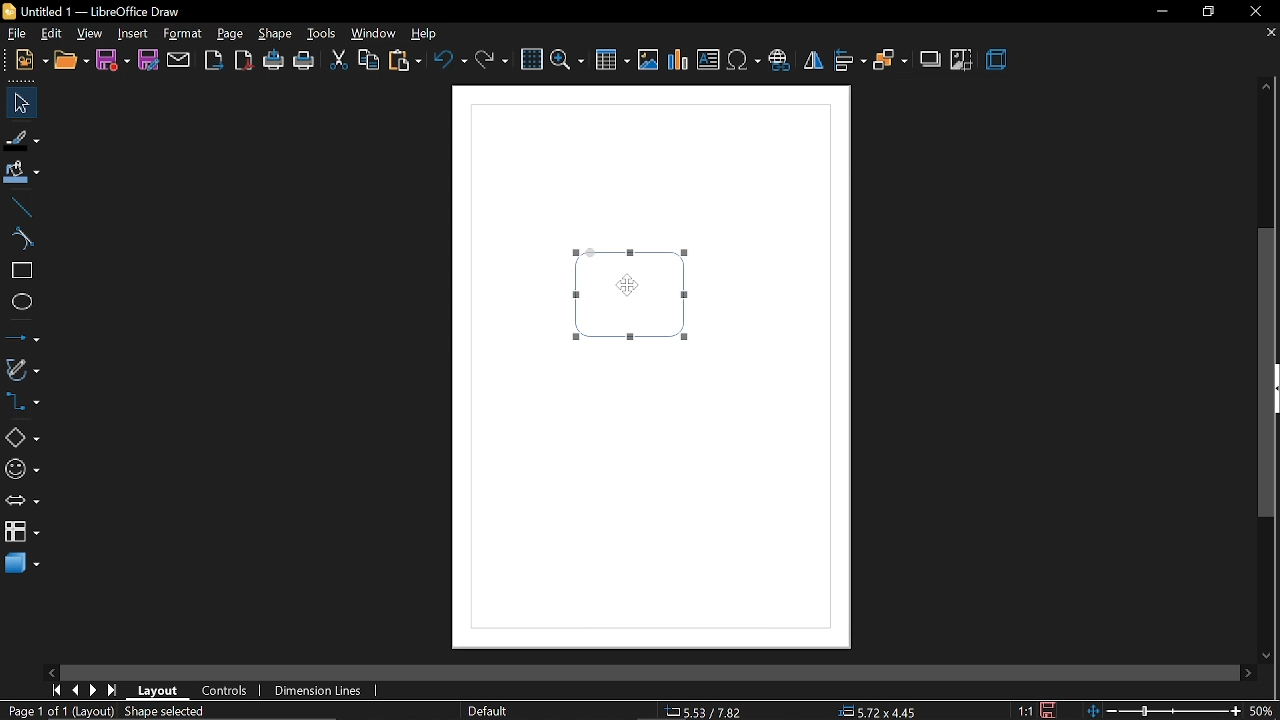  What do you see at coordinates (338, 62) in the screenshot?
I see `cut ` at bounding box center [338, 62].